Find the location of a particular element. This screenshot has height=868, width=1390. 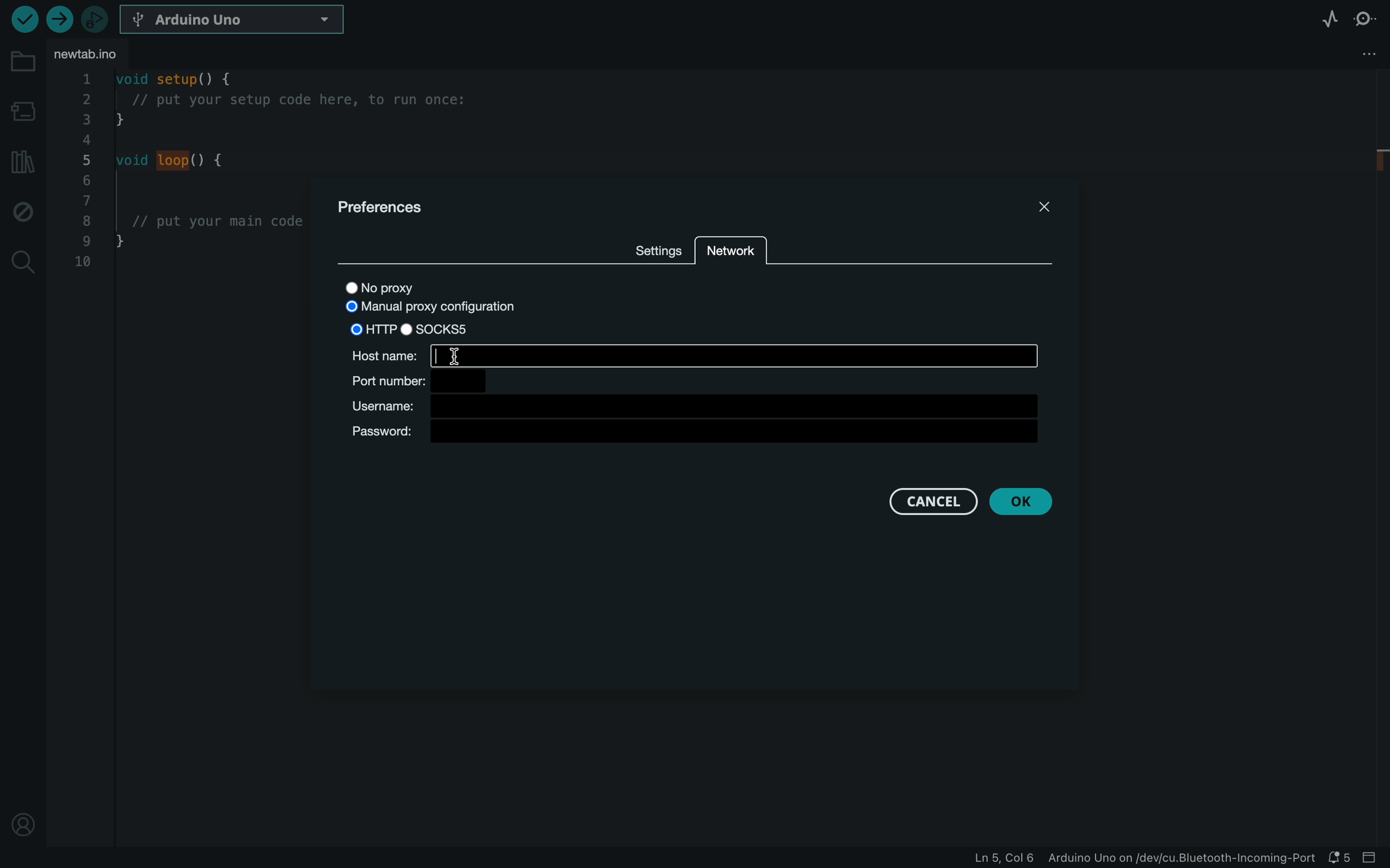

debug is located at coordinates (23, 209).